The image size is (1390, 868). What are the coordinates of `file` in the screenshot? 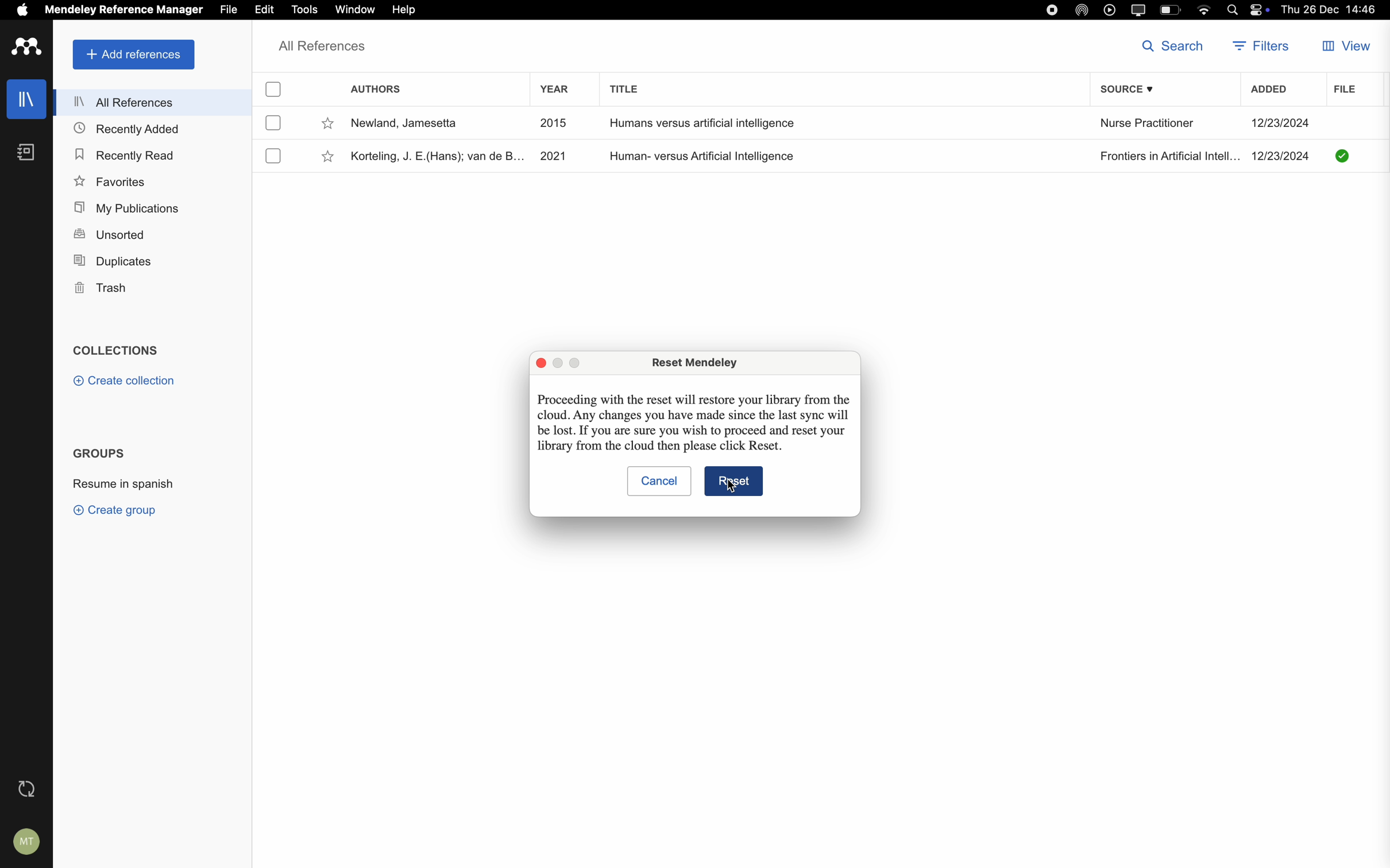 It's located at (1351, 88).